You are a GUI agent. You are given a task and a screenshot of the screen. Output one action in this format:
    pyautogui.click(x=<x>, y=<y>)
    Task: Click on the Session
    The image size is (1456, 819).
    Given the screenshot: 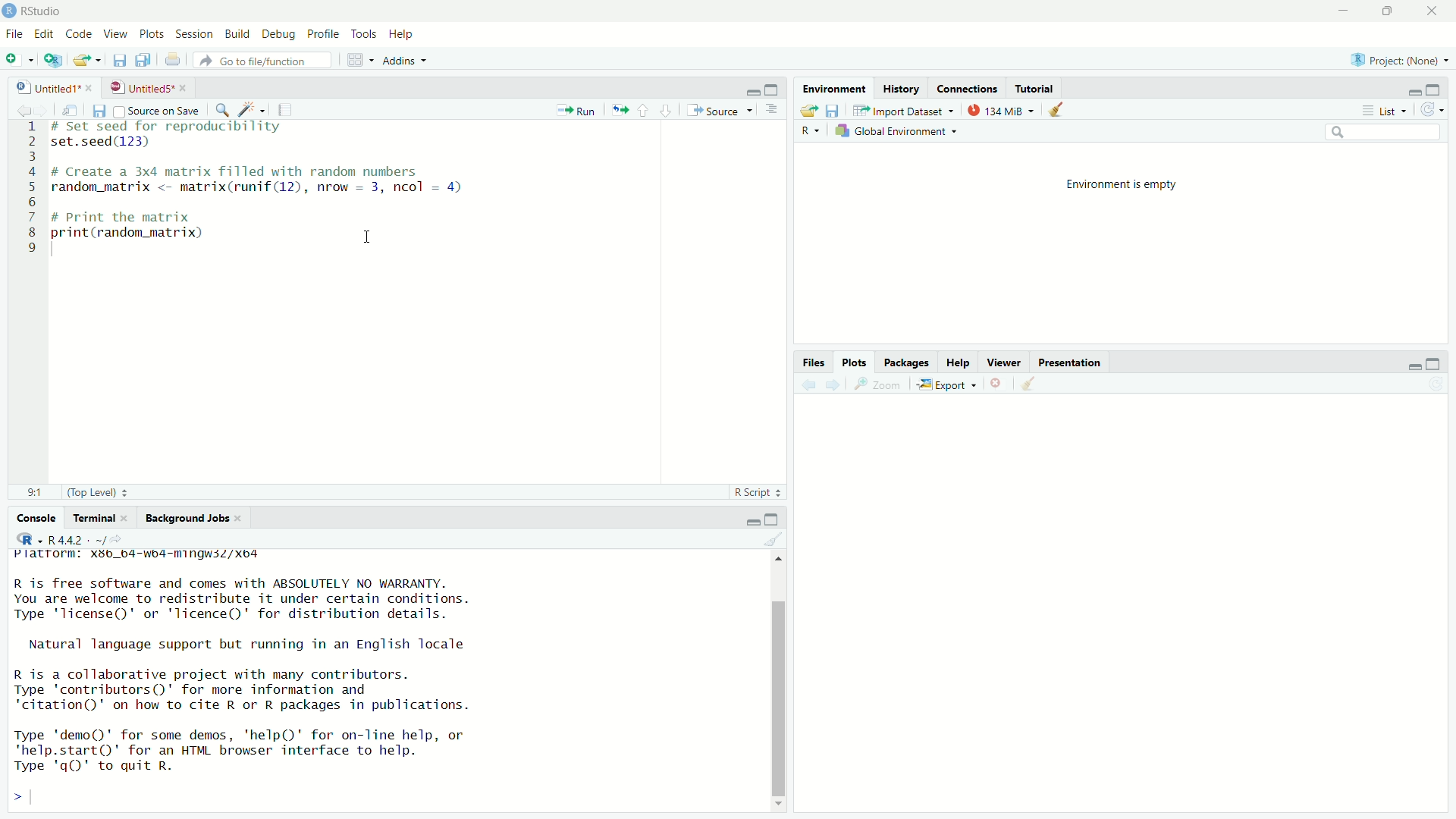 What is the action you would take?
    pyautogui.click(x=199, y=36)
    